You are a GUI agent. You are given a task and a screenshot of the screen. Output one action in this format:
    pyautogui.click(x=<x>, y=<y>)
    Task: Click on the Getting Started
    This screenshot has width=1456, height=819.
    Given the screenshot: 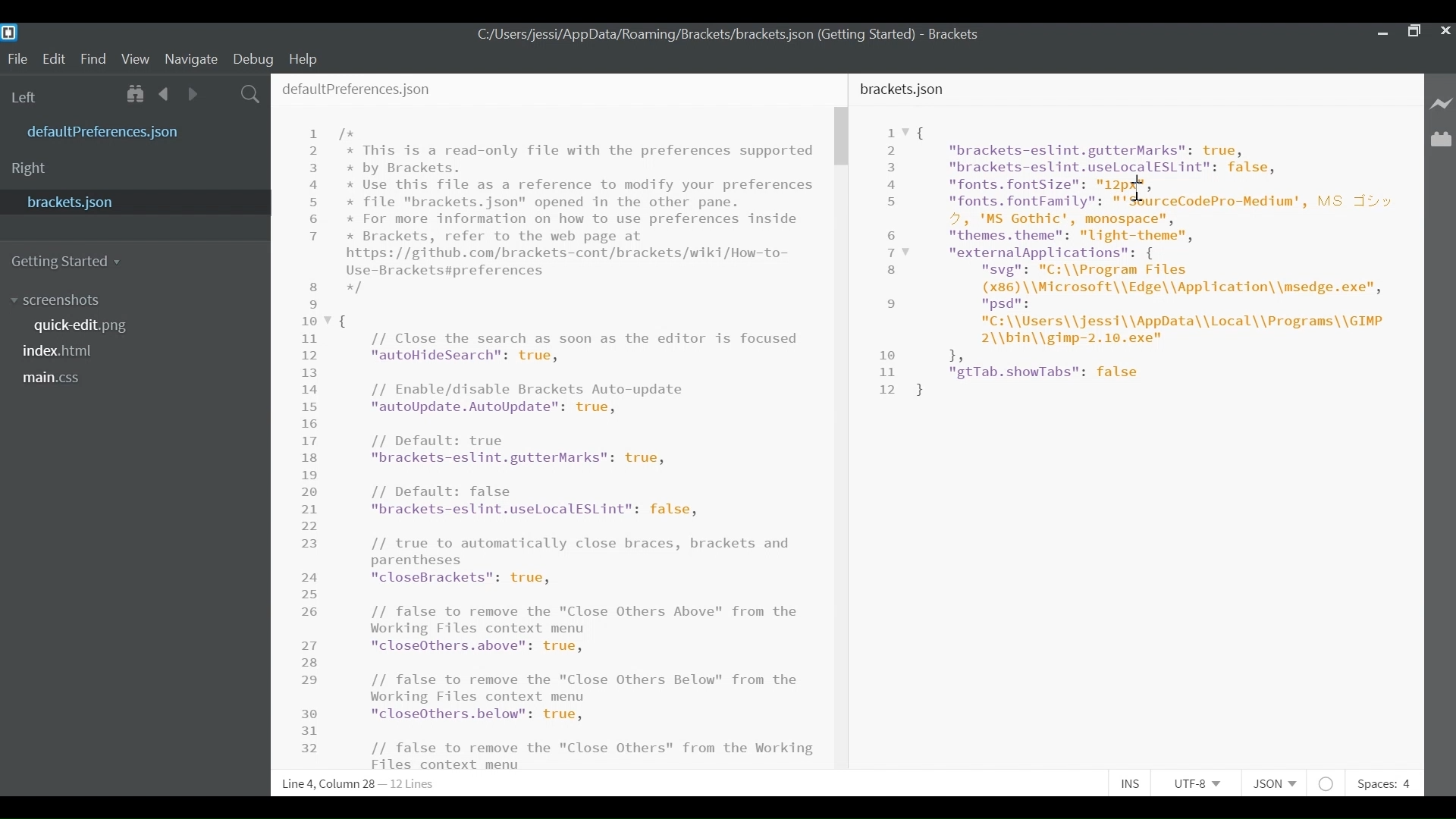 What is the action you would take?
    pyautogui.click(x=69, y=259)
    